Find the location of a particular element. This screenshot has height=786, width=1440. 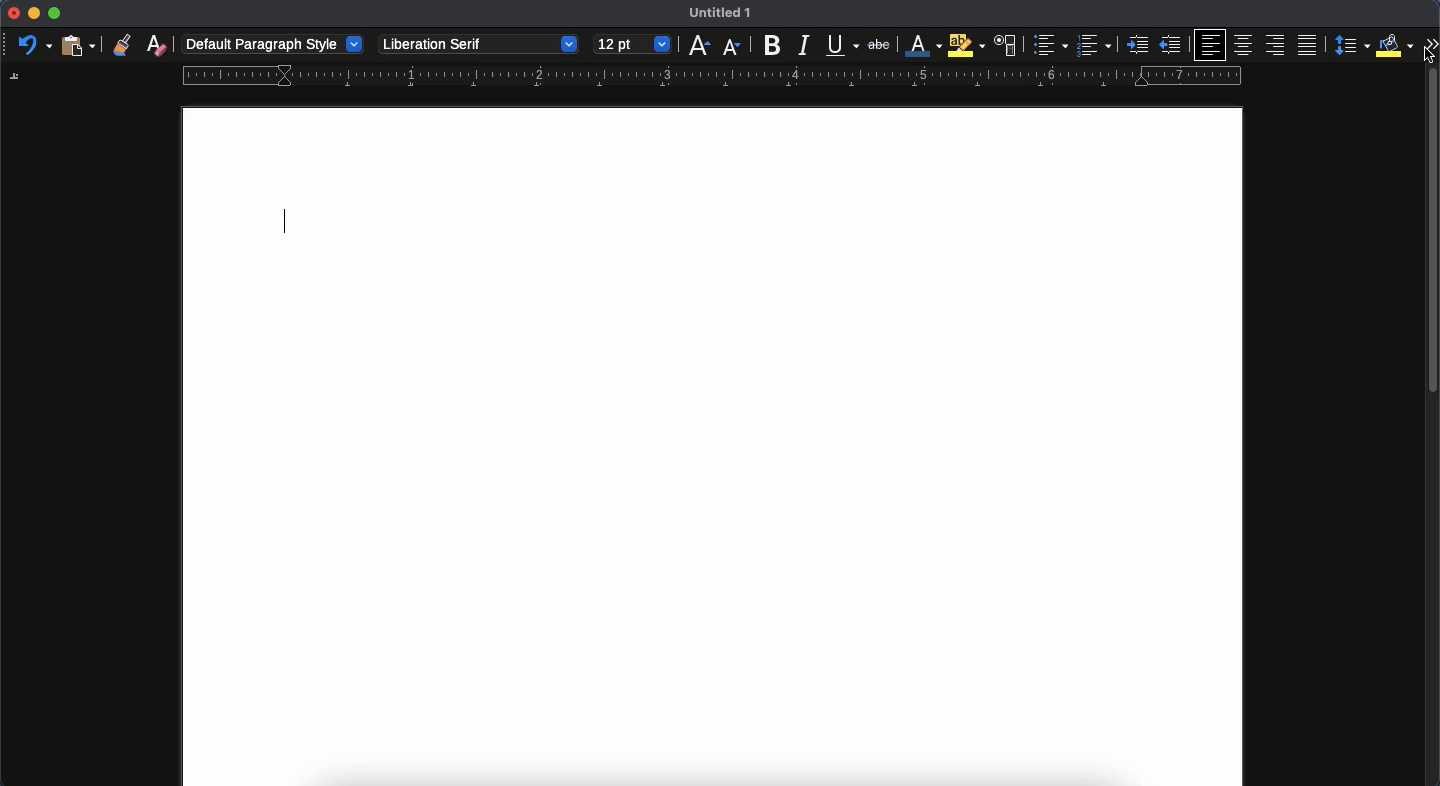

left aligned is located at coordinates (1208, 45).